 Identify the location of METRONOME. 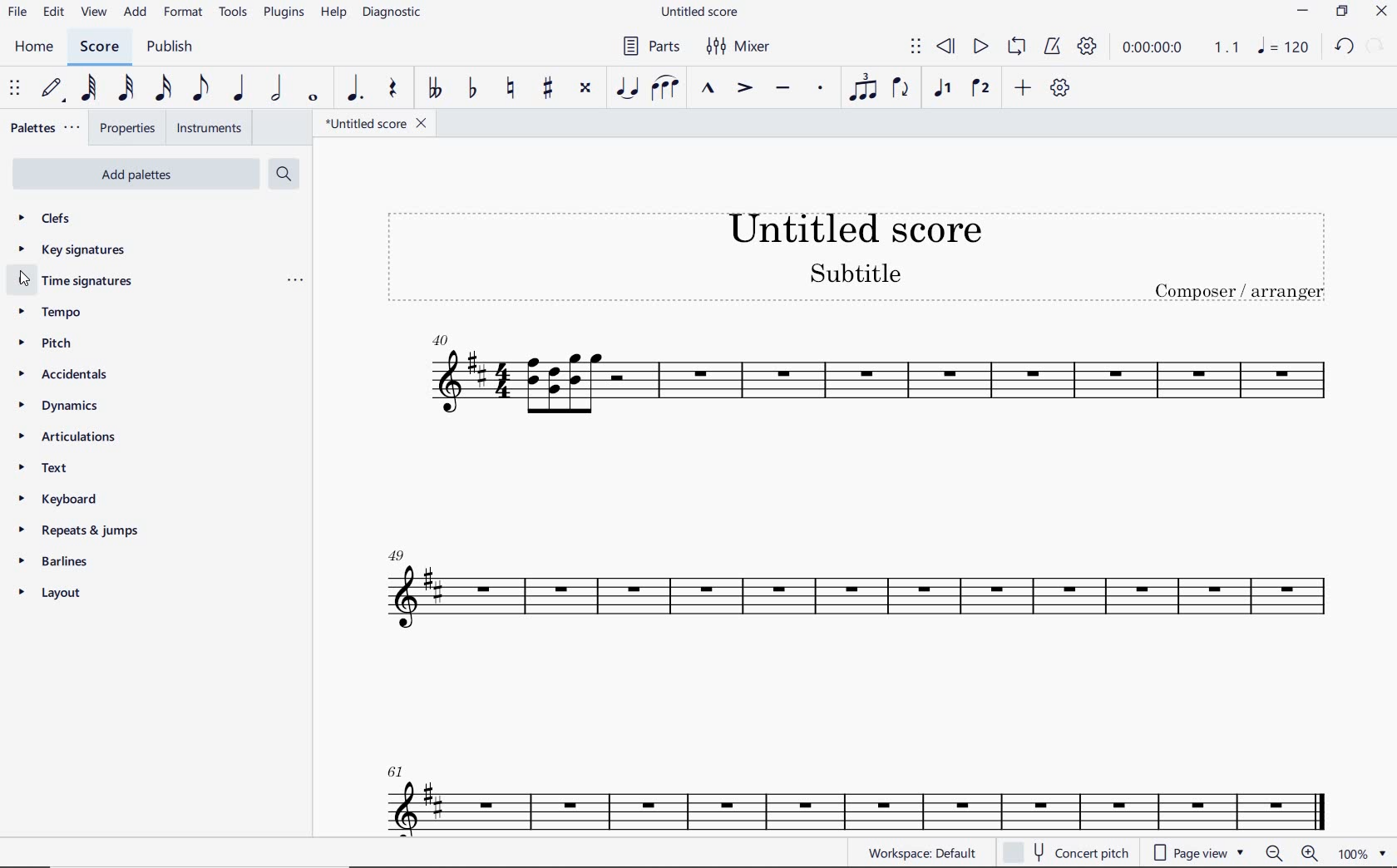
(1052, 47).